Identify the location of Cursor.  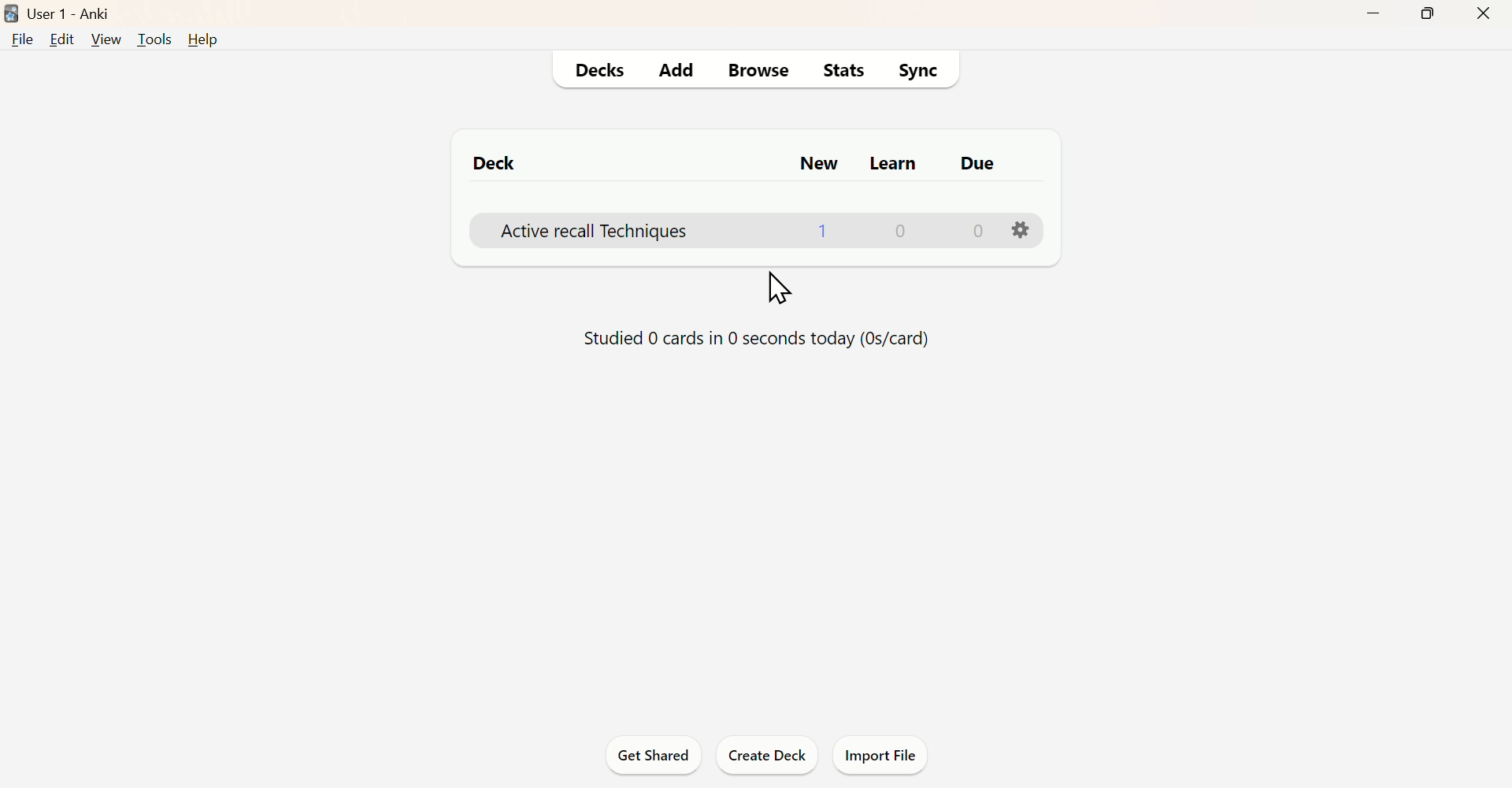
(794, 287).